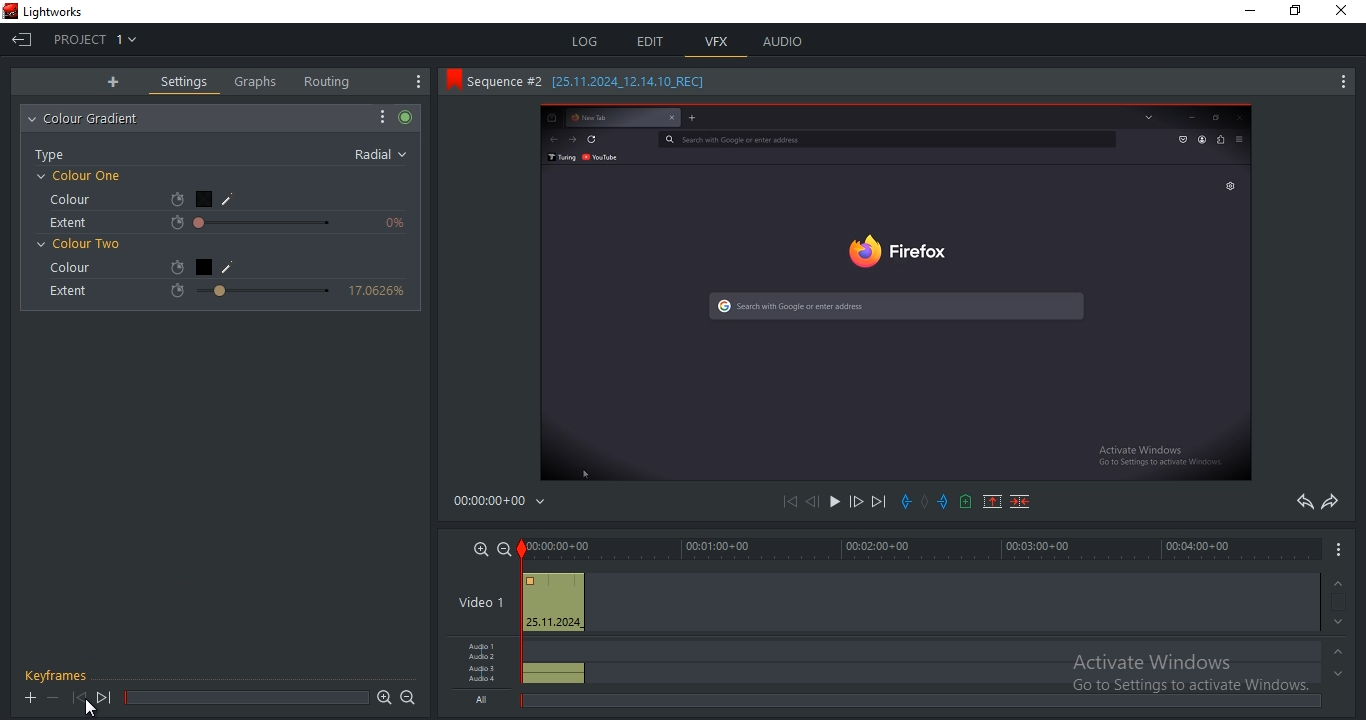 The height and width of the screenshot is (720, 1366). What do you see at coordinates (397, 225) in the screenshot?
I see `0%` at bounding box center [397, 225].